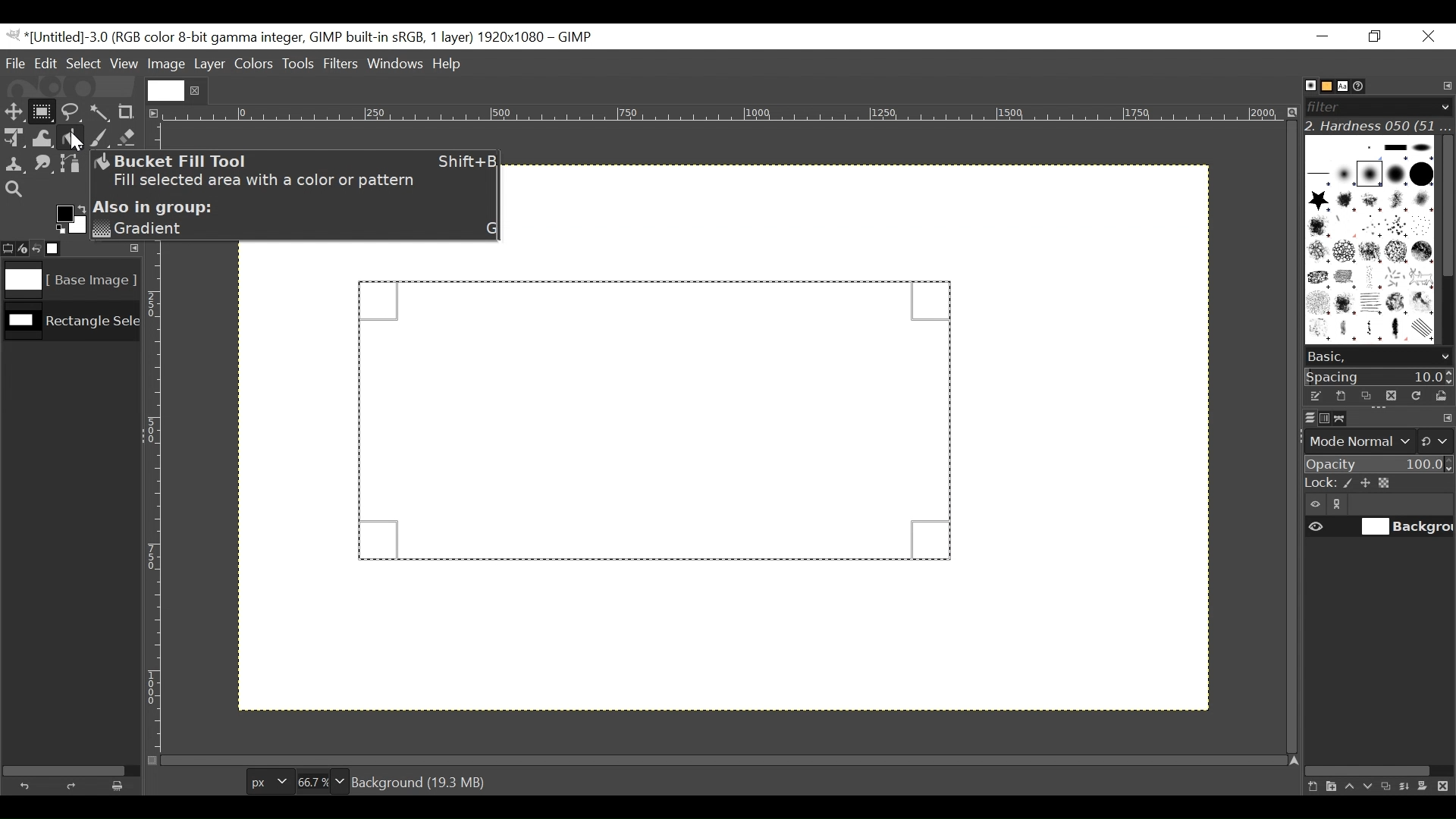  What do you see at coordinates (70, 137) in the screenshot?
I see `Cursor` at bounding box center [70, 137].